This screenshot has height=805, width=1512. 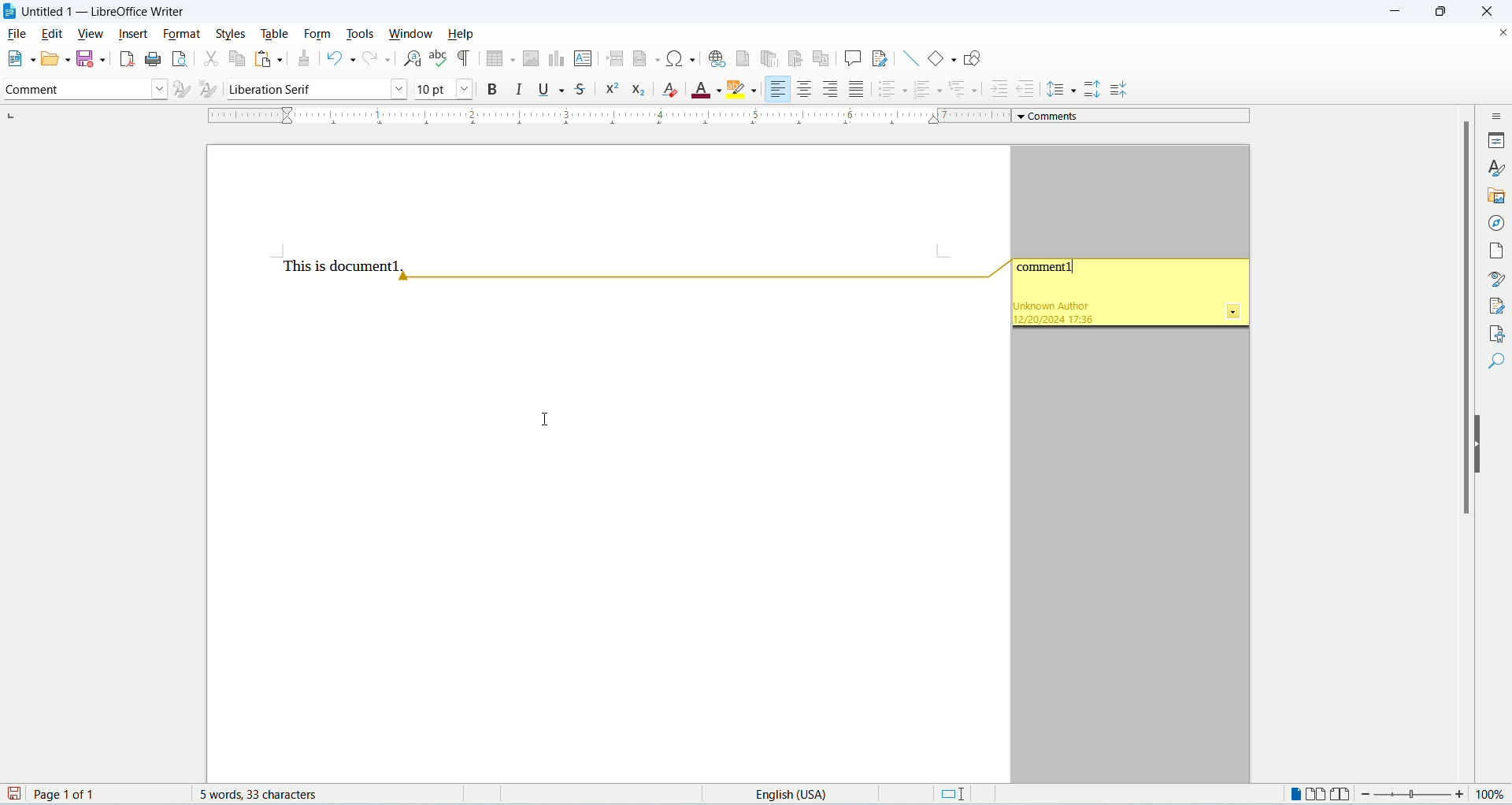 What do you see at coordinates (179, 89) in the screenshot?
I see `update selected style` at bounding box center [179, 89].